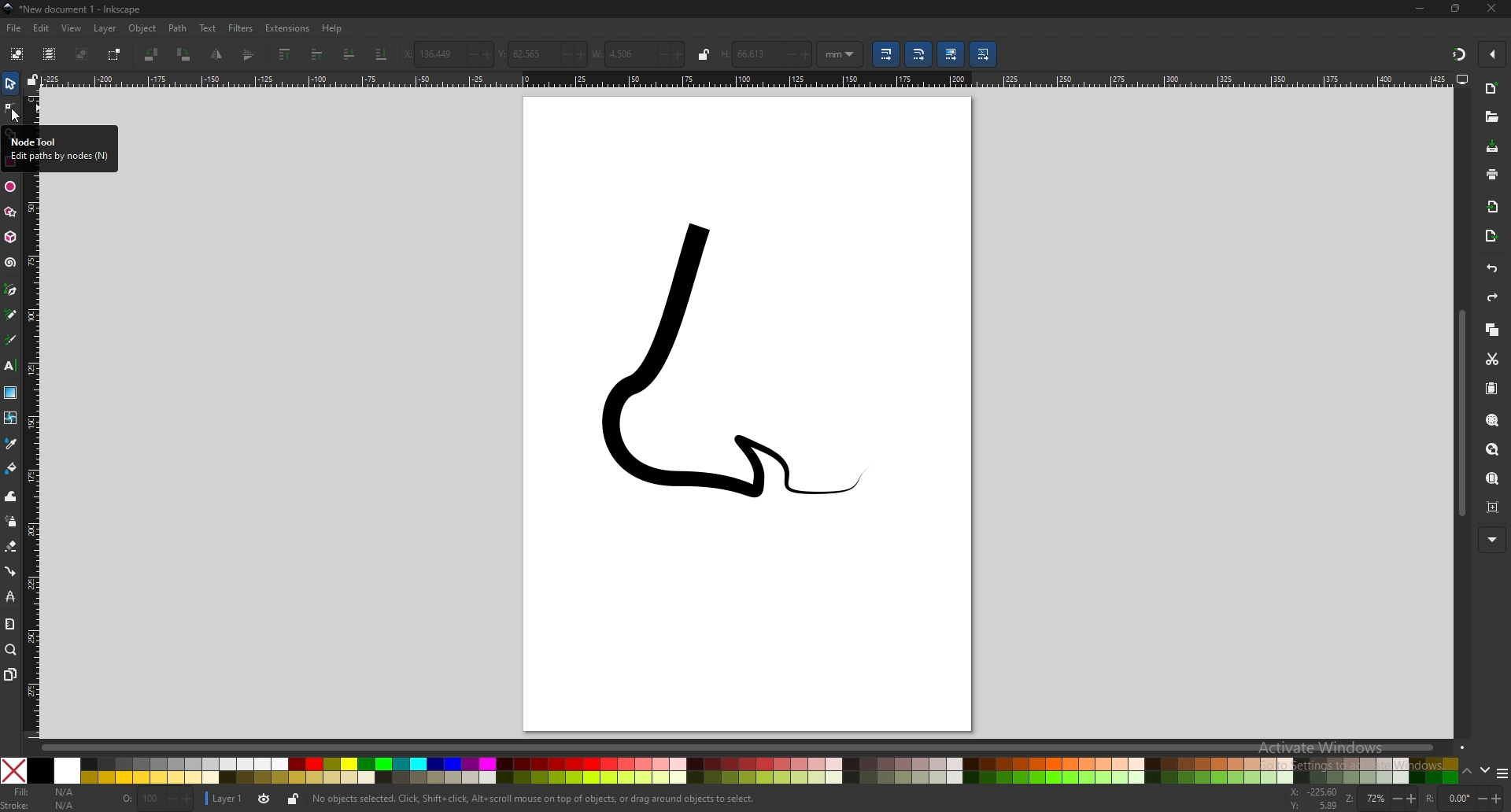  I want to click on text, so click(11, 366).